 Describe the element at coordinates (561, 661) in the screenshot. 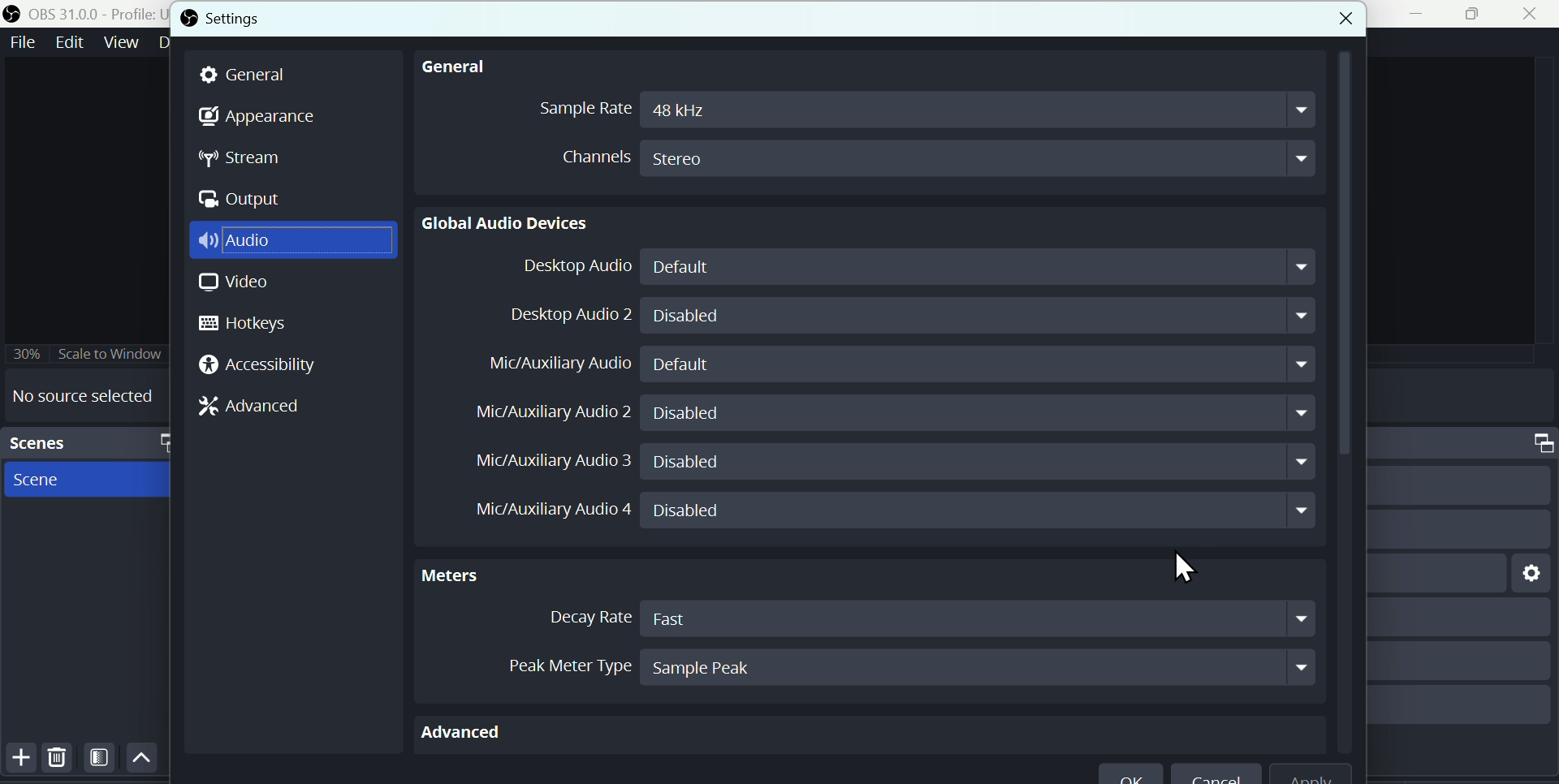

I see `Peak meter Type` at that location.